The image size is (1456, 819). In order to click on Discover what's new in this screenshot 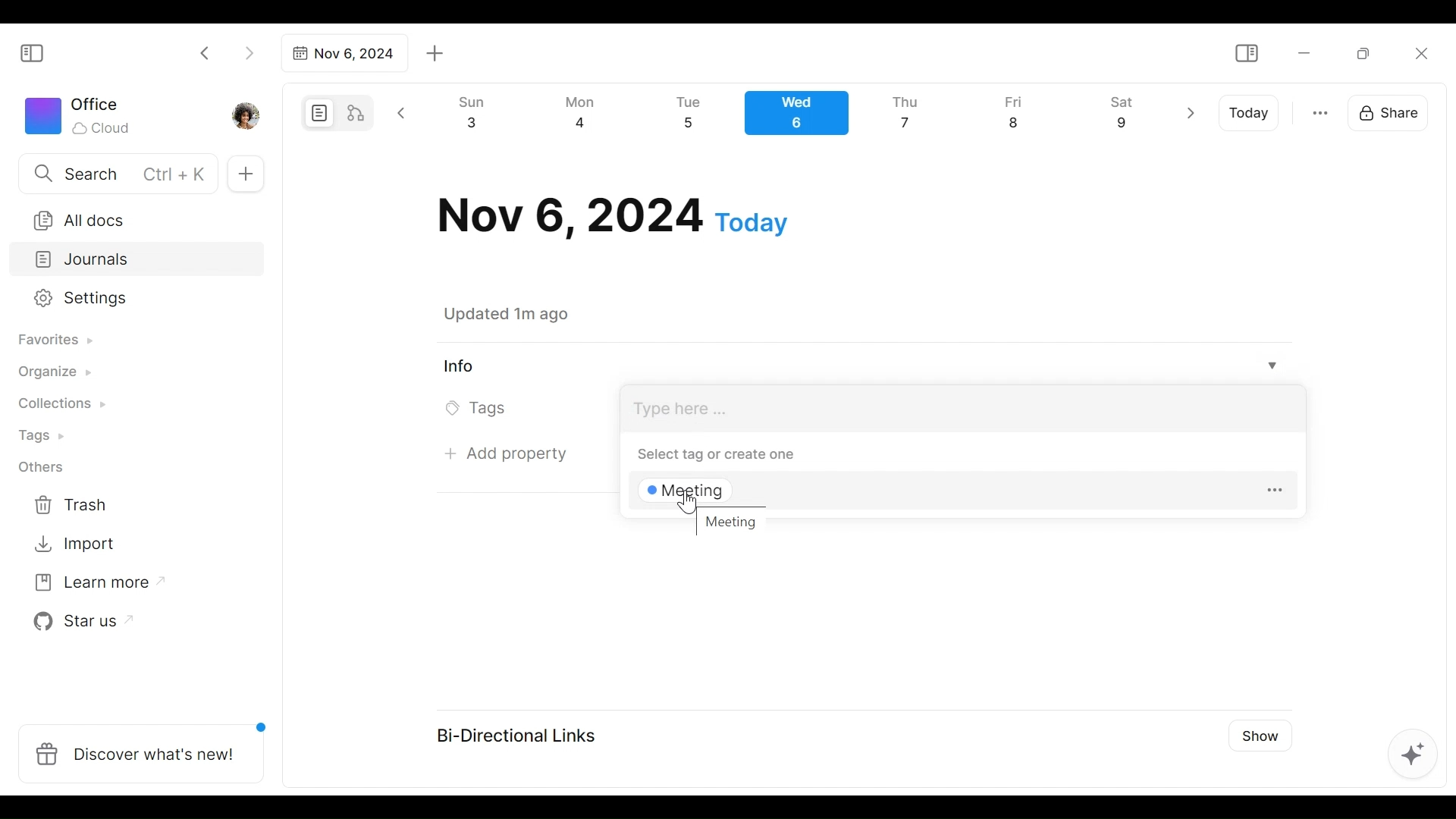, I will do `click(147, 745)`.